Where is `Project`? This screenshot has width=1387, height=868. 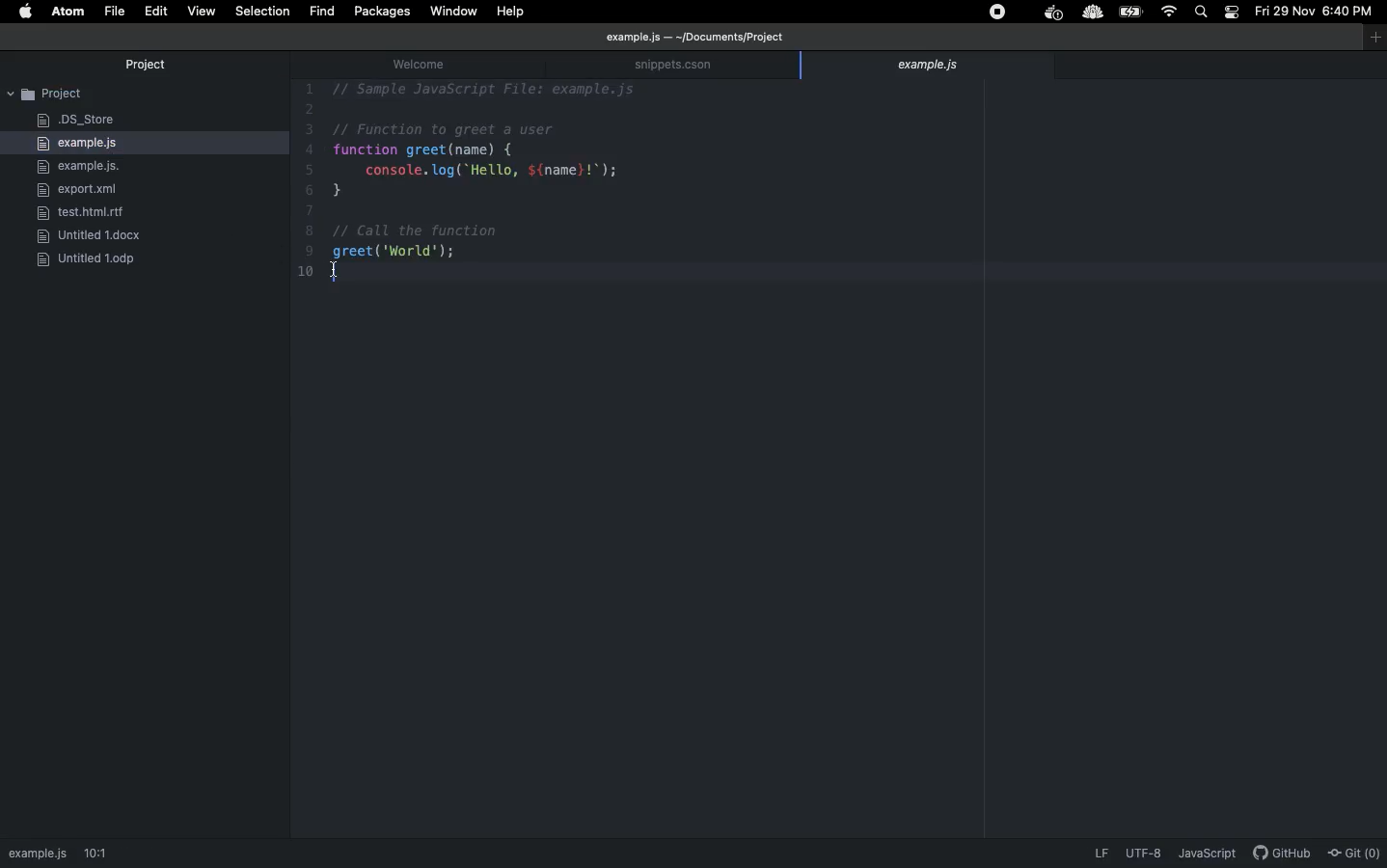
Project is located at coordinates (145, 94).